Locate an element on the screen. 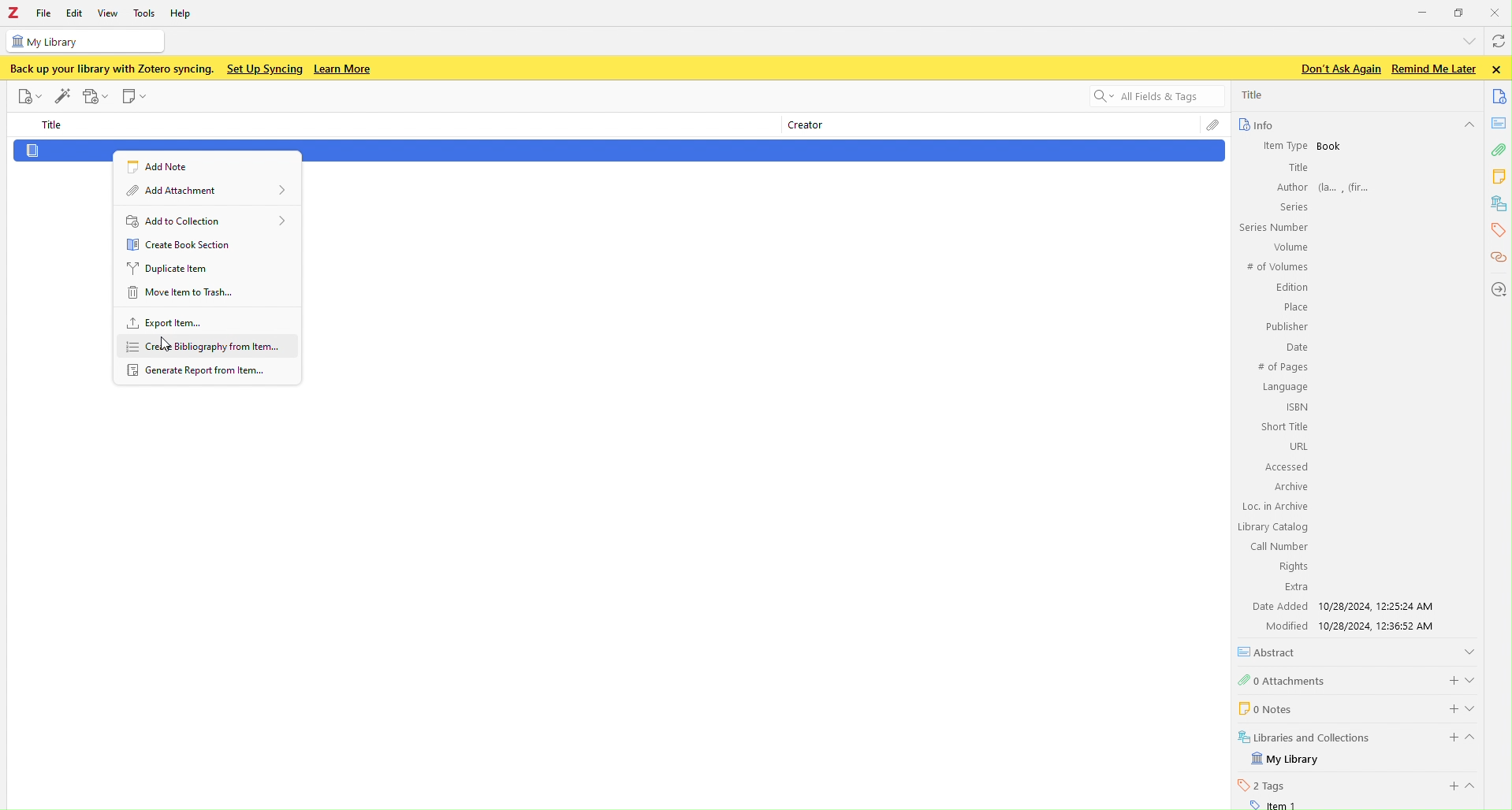 Image resolution: width=1512 pixels, height=810 pixels. Move item to trash is located at coordinates (188, 294).